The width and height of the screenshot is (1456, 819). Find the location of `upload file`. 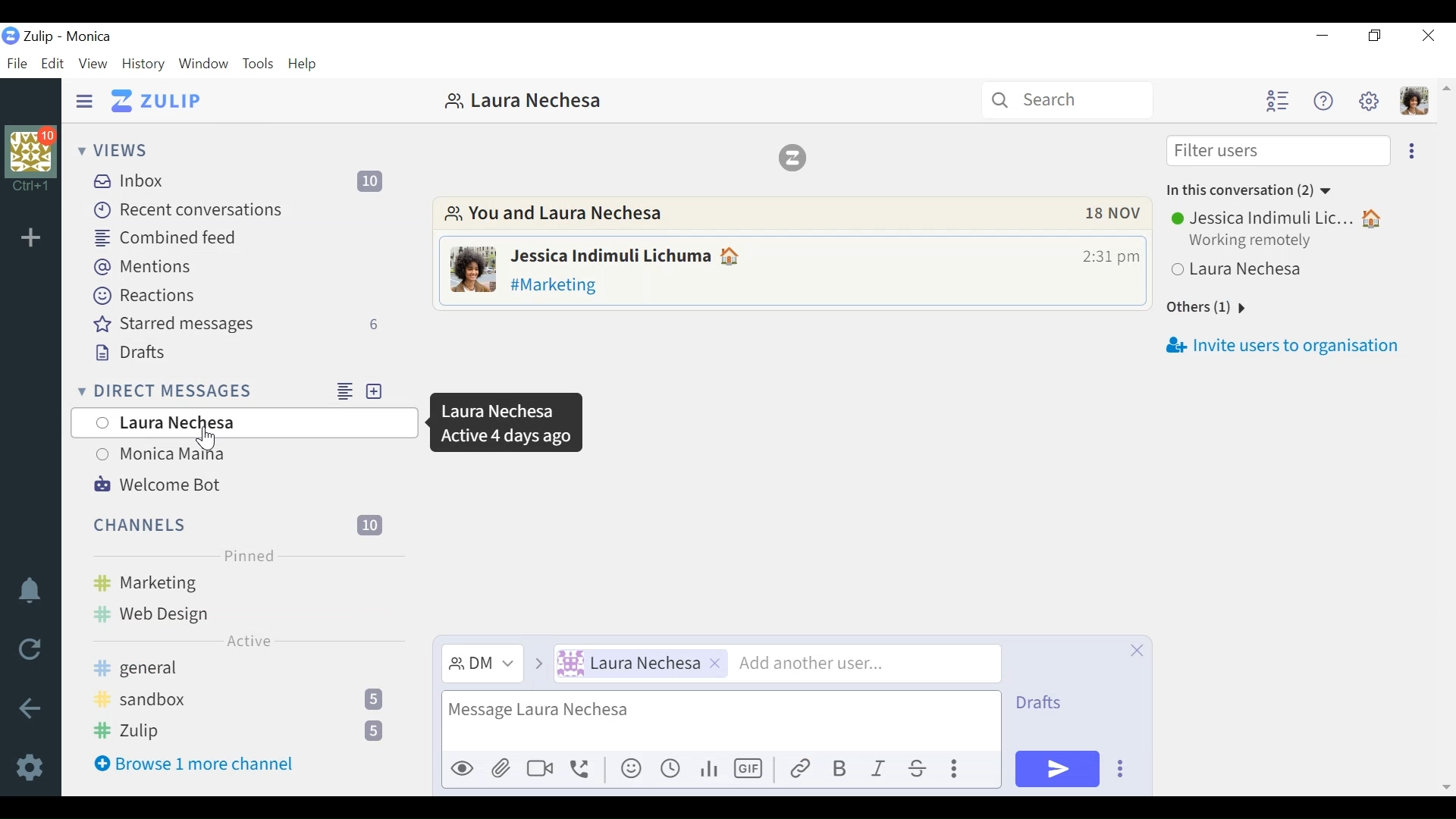

upload file is located at coordinates (501, 769).